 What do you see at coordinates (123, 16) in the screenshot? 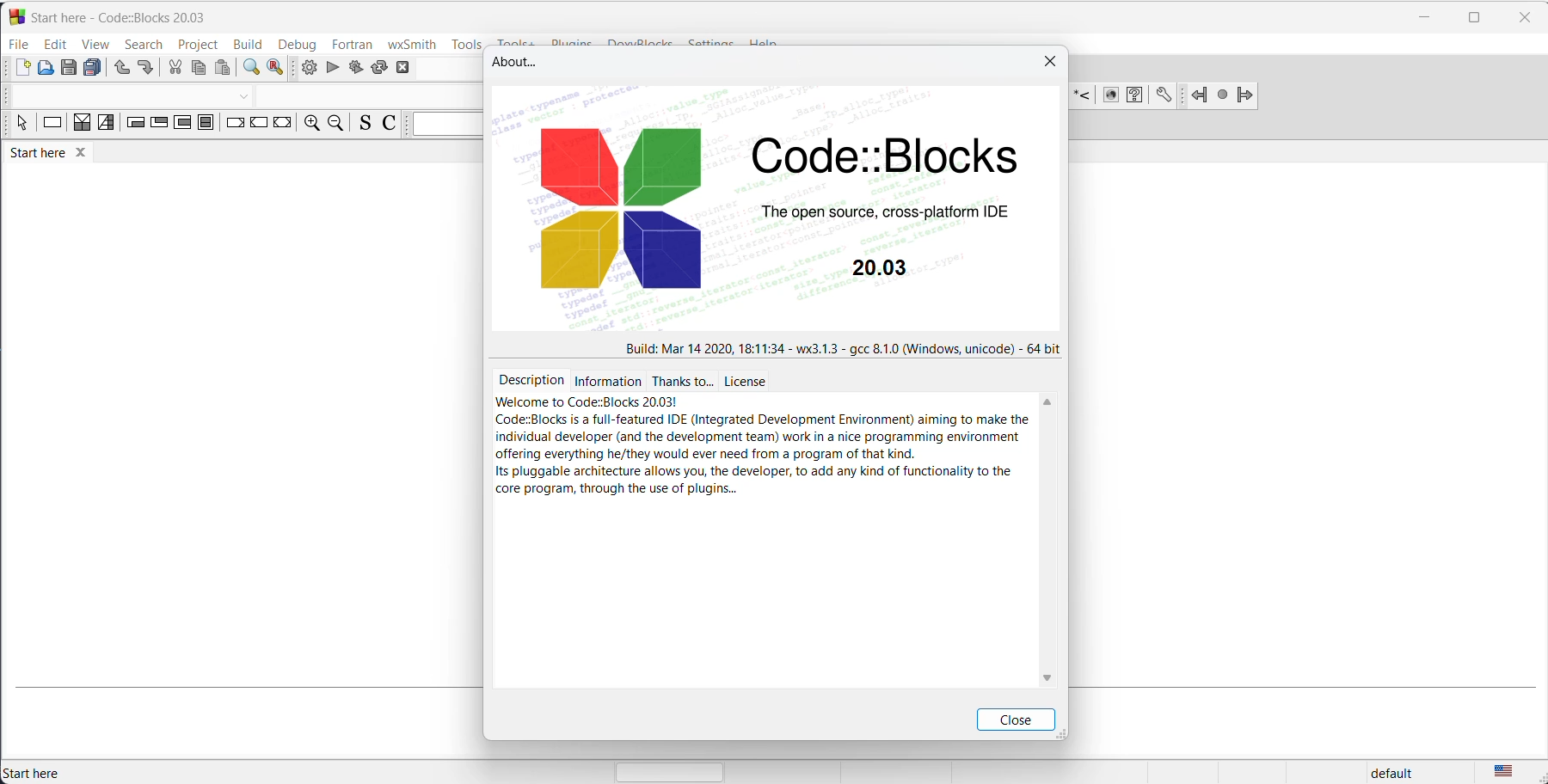
I see `start here` at bounding box center [123, 16].